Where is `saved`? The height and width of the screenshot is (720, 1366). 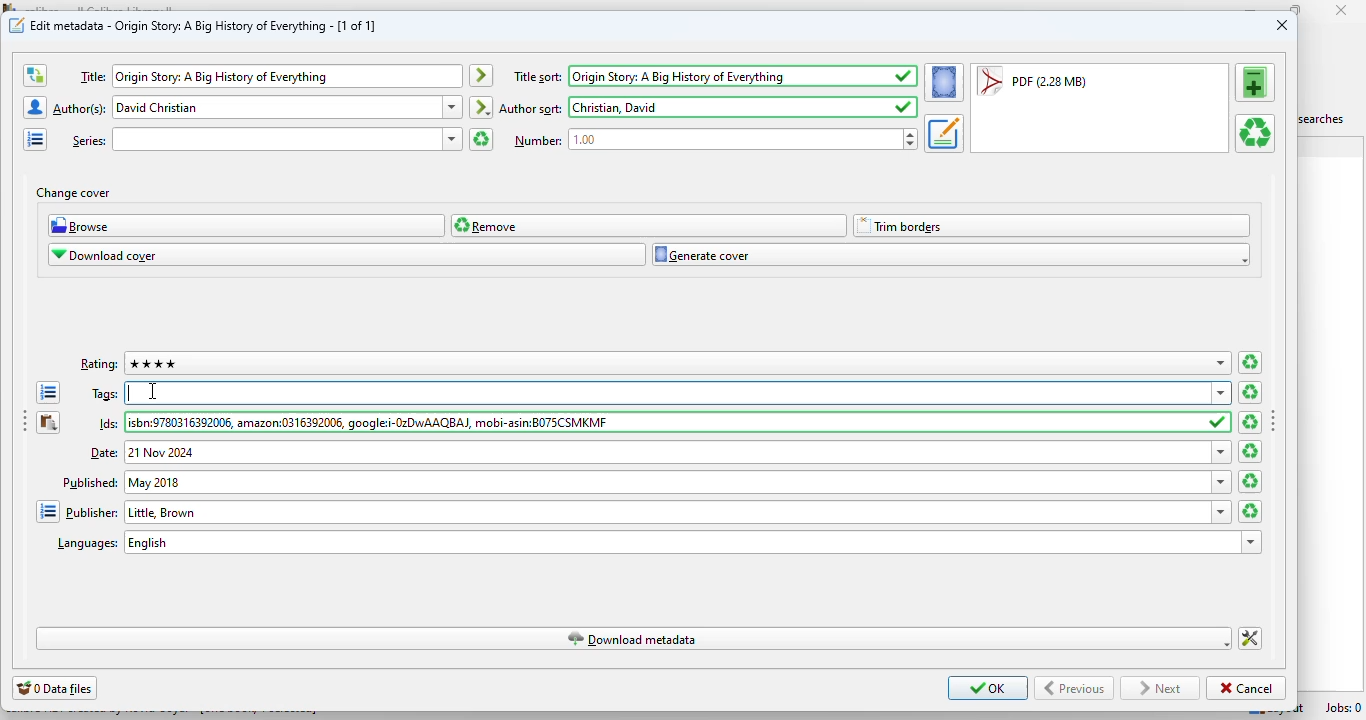 saved is located at coordinates (1219, 423).